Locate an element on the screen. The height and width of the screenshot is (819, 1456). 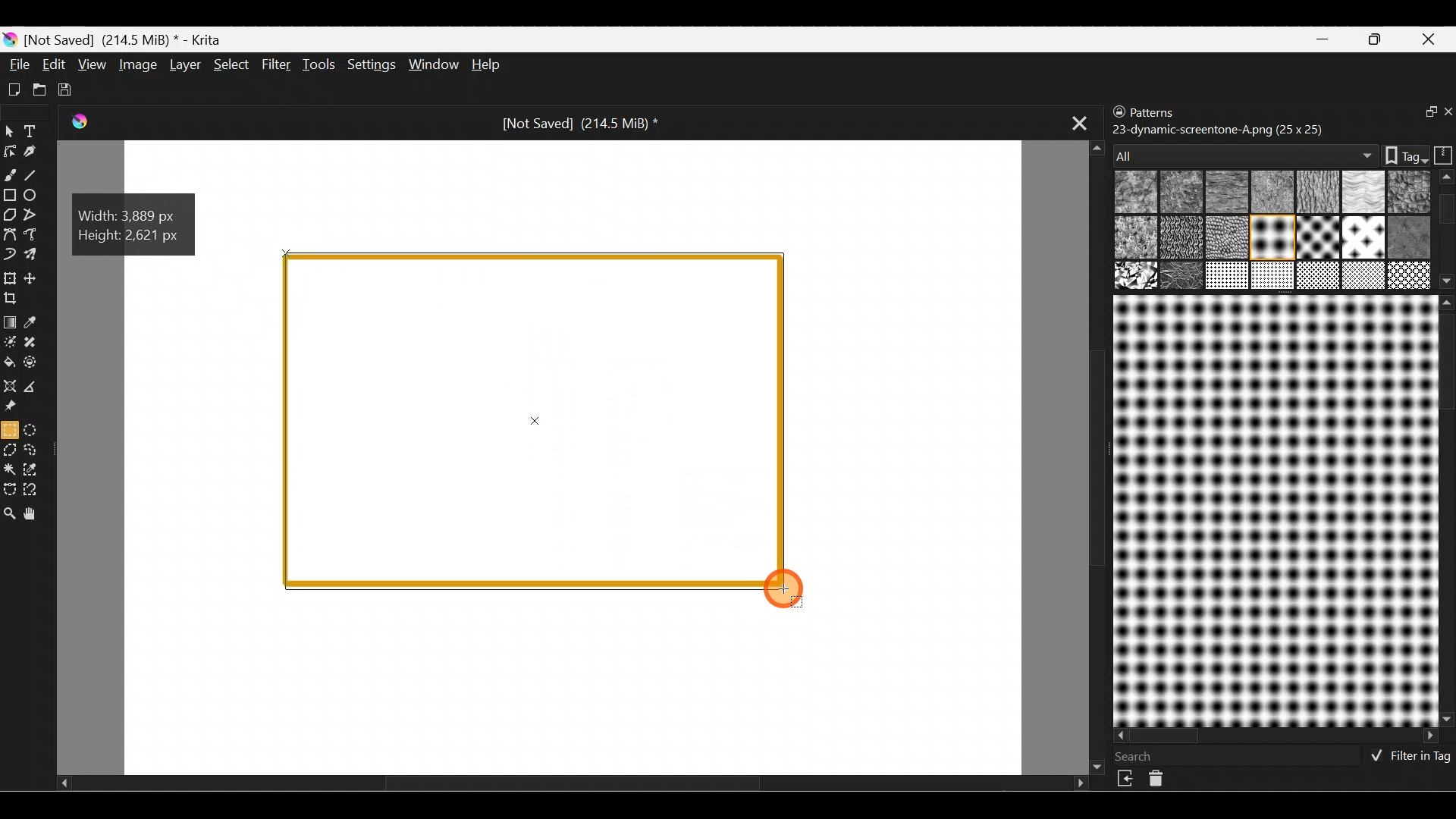
01 canvas.png is located at coordinates (1134, 193).